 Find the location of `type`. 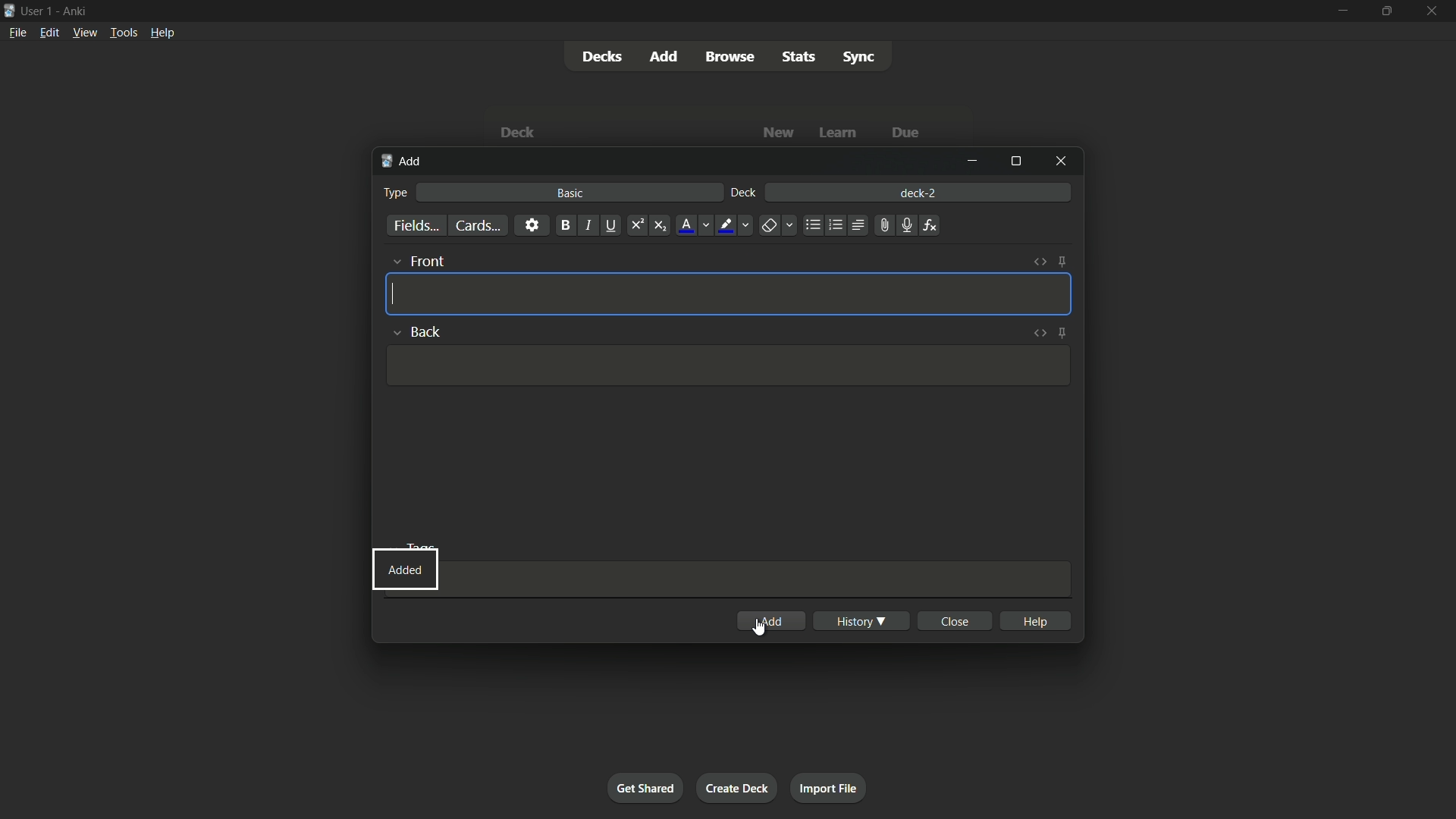

type is located at coordinates (397, 193).